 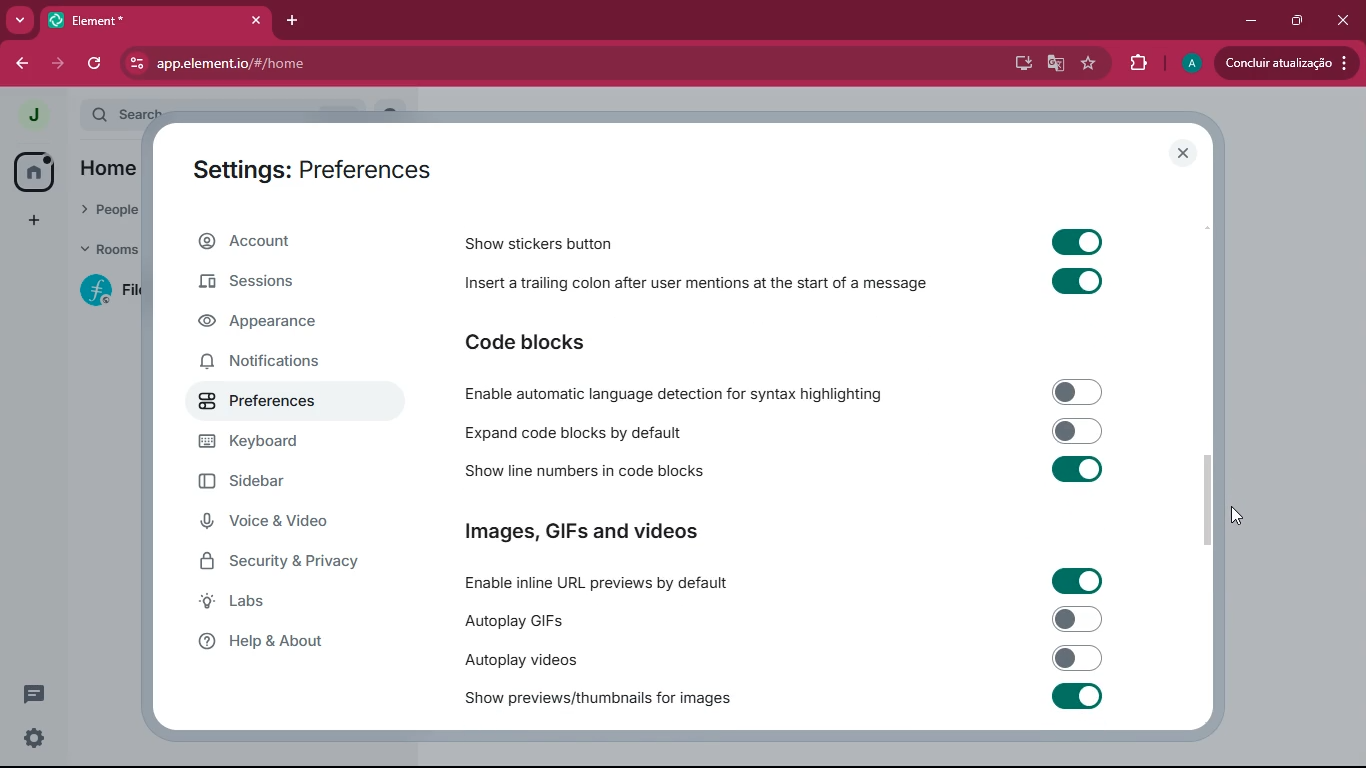 I want to click on add, so click(x=30, y=221).